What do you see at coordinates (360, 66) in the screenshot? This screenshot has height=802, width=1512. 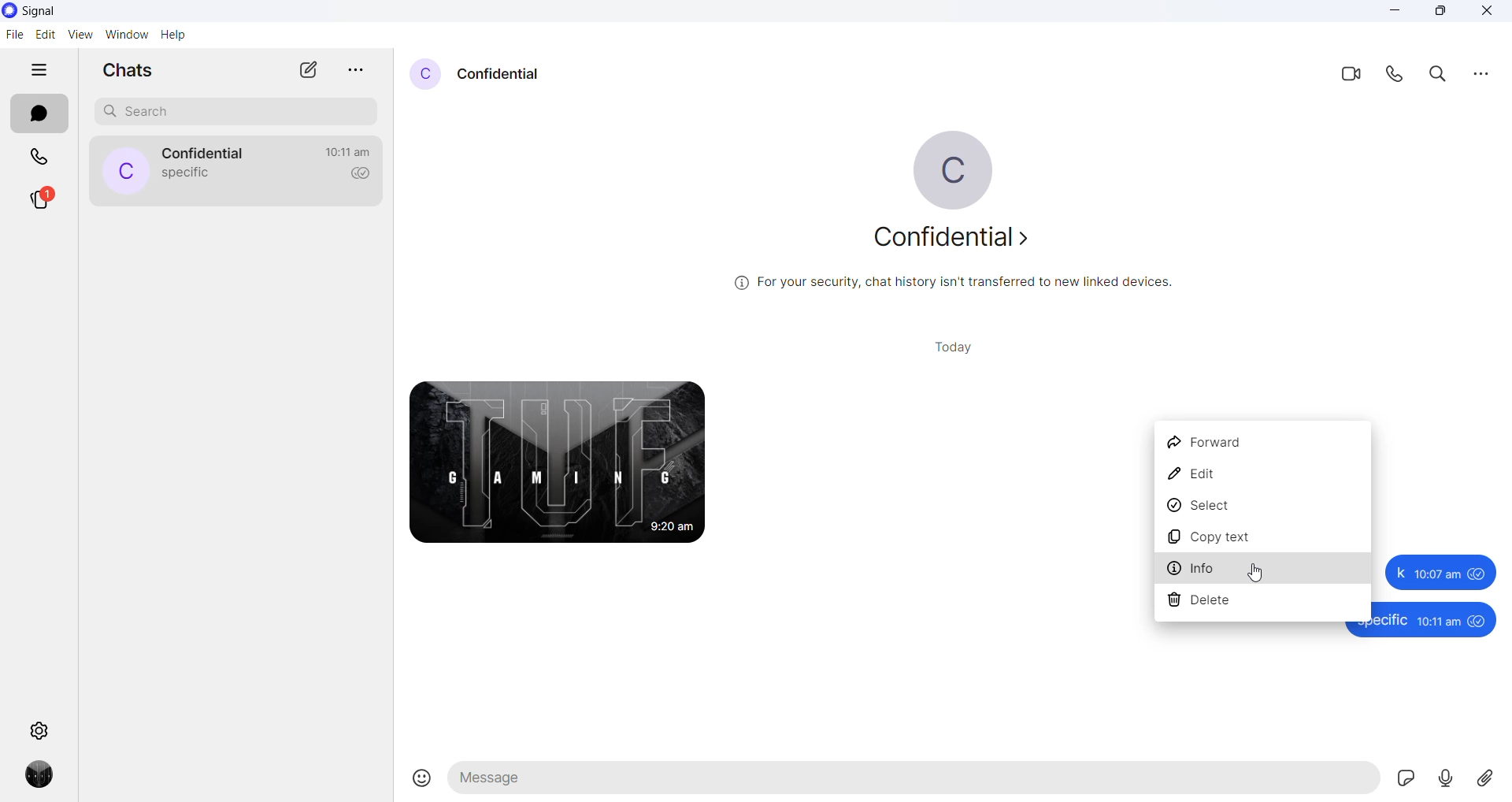 I see `more options` at bounding box center [360, 66].